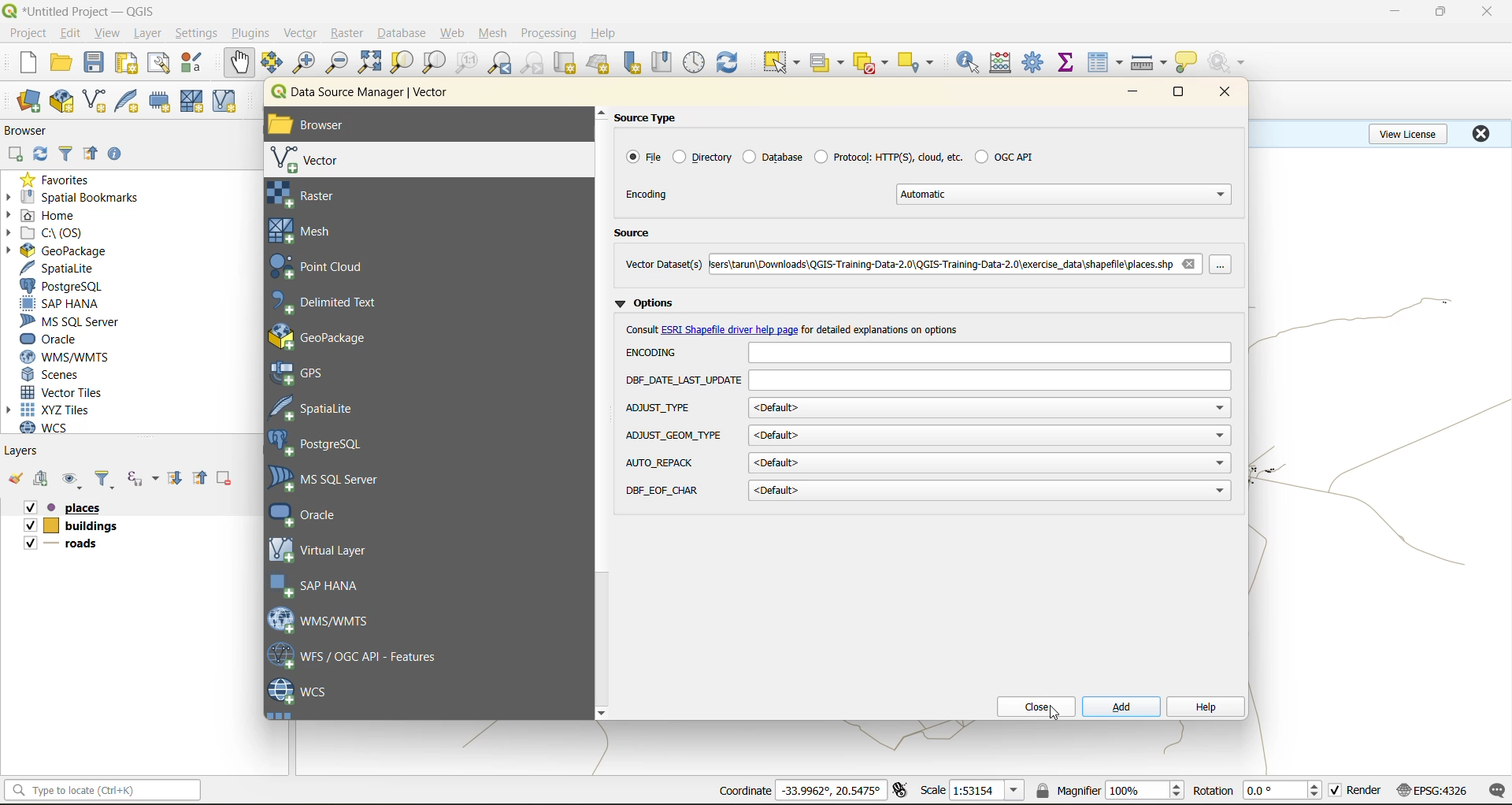 The image size is (1512, 805). Describe the element at coordinates (973, 62) in the screenshot. I see `identify features` at that location.